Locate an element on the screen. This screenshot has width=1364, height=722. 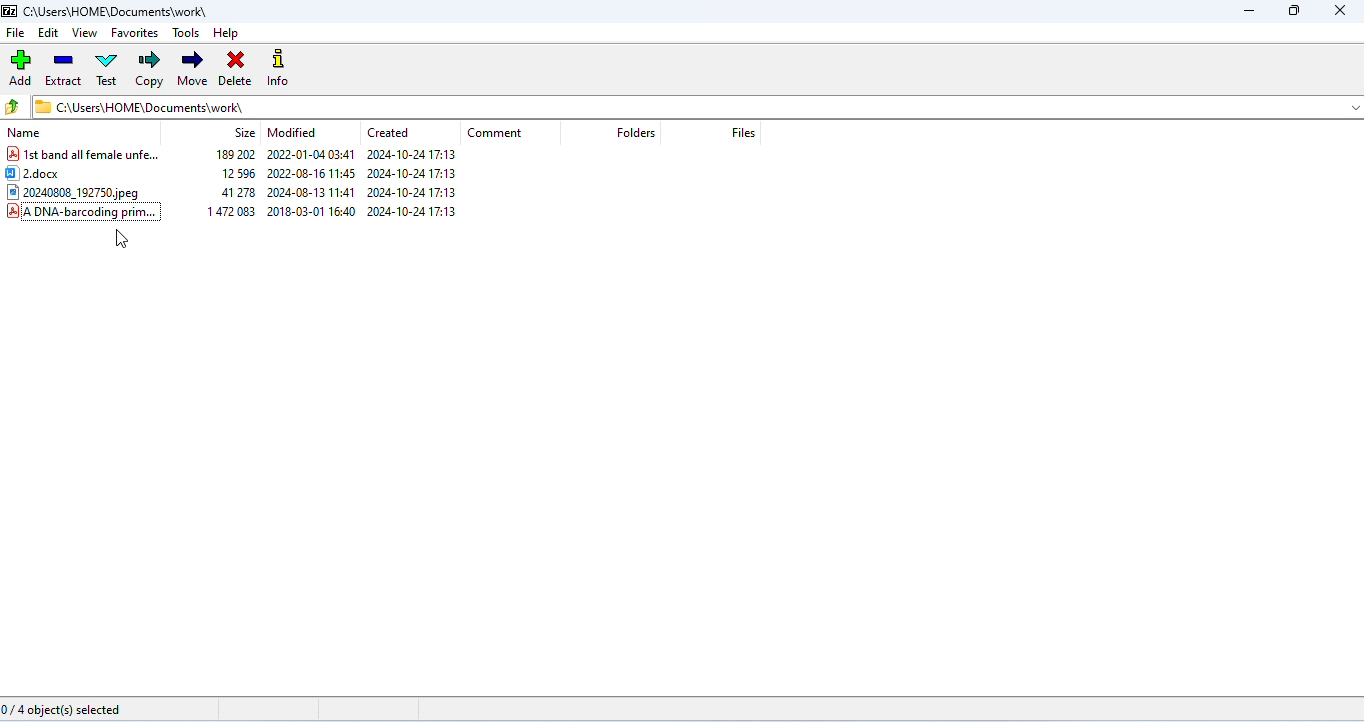
move is located at coordinates (192, 69).